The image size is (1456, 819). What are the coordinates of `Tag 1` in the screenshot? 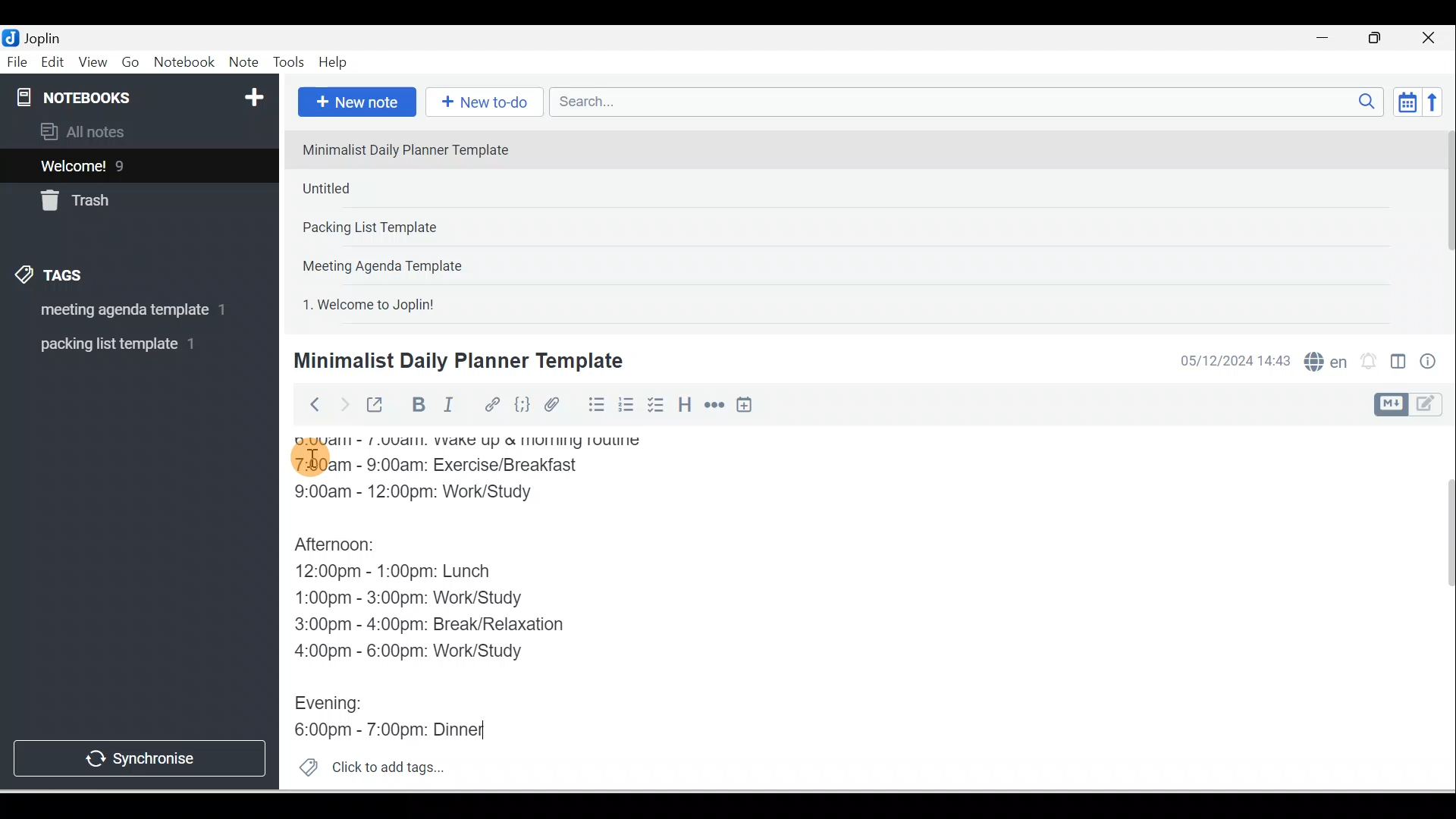 It's located at (119, 311).